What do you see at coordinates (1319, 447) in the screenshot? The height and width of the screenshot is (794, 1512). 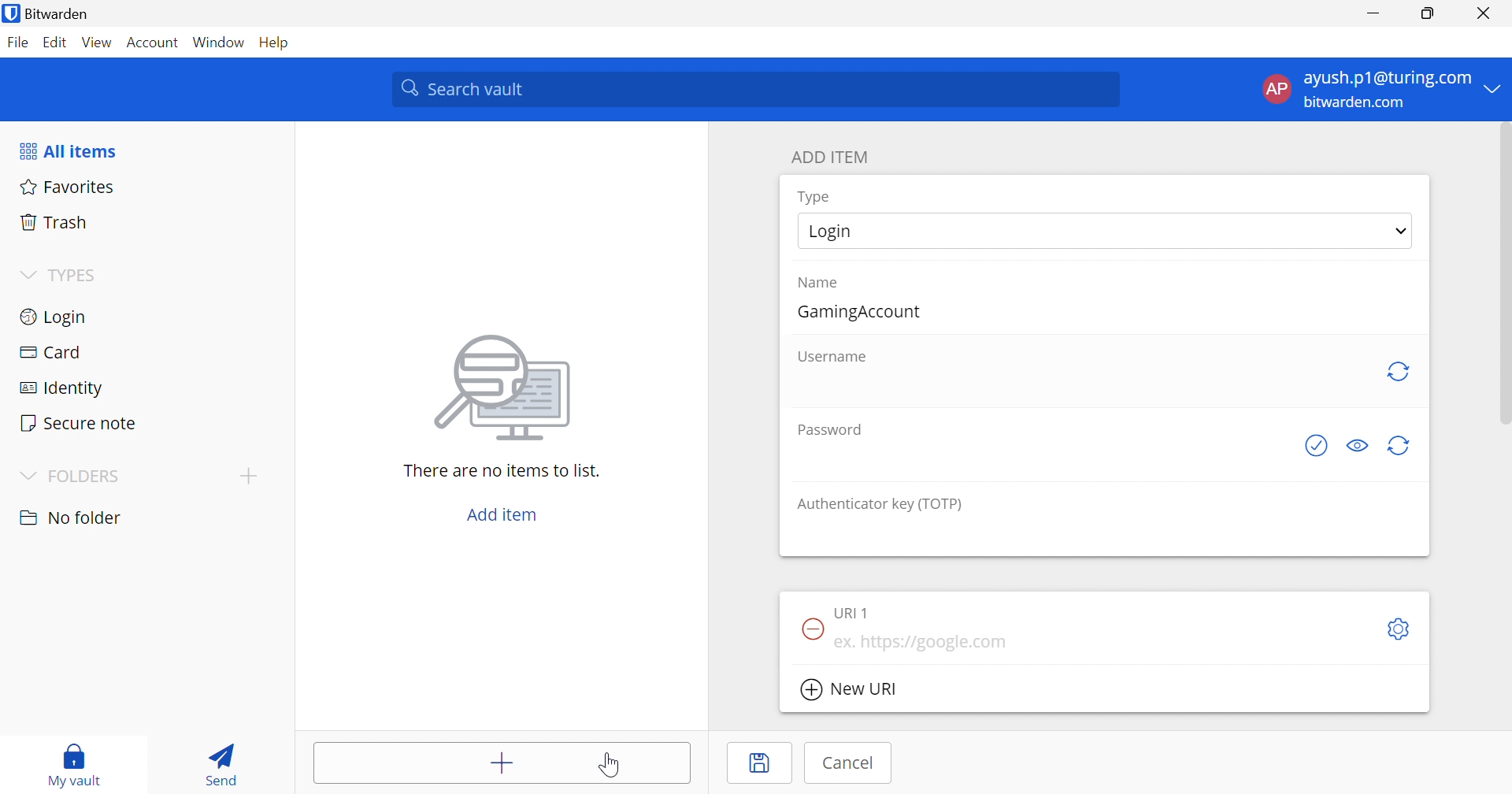 I see `Generate password` at bounding box center [1319, 447].